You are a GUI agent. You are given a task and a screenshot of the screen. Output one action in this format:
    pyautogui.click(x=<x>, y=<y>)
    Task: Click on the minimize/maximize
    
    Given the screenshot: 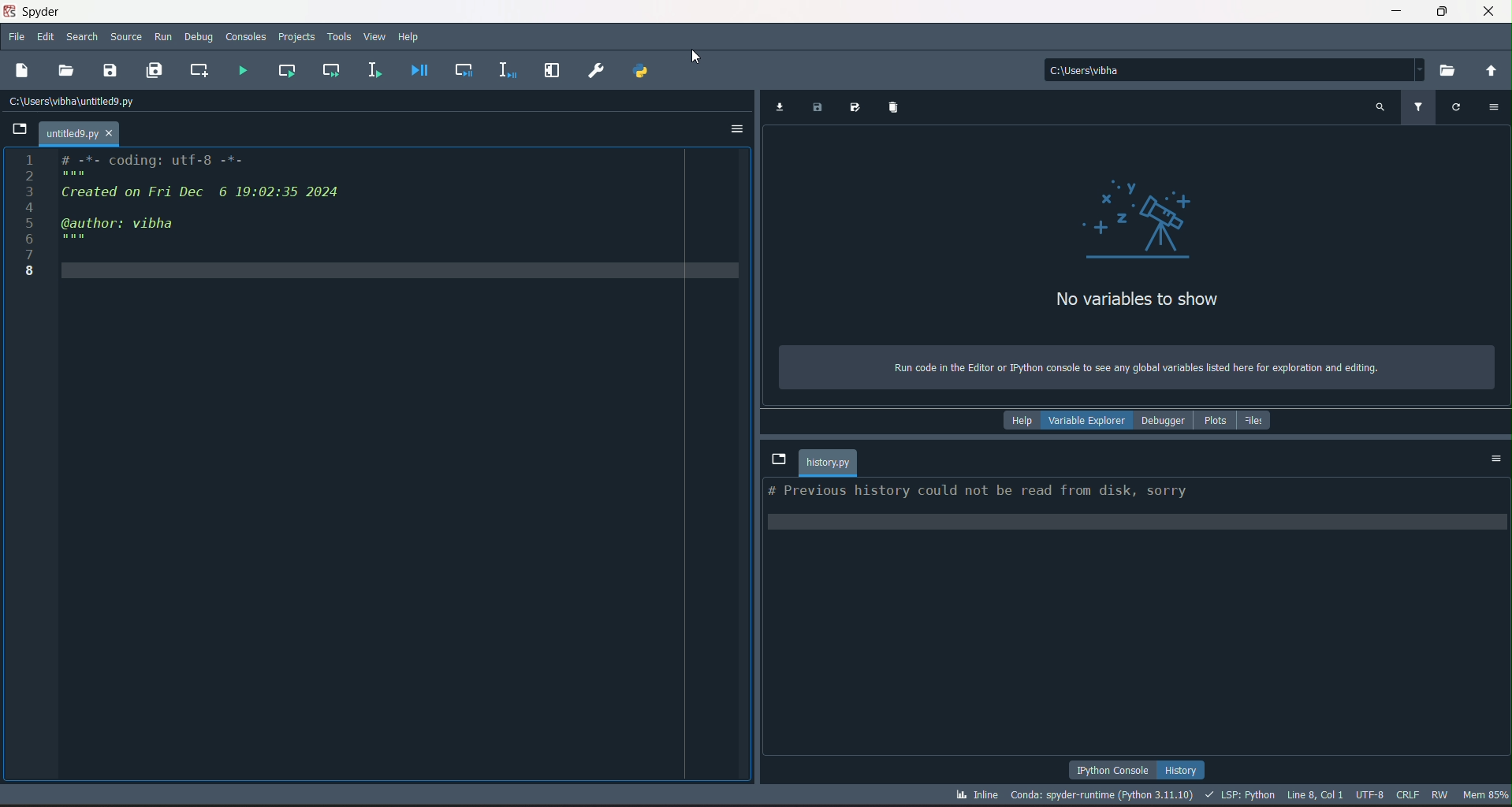 What is the action you would take?
    pyautogui.click(x=1439, y=12)
    